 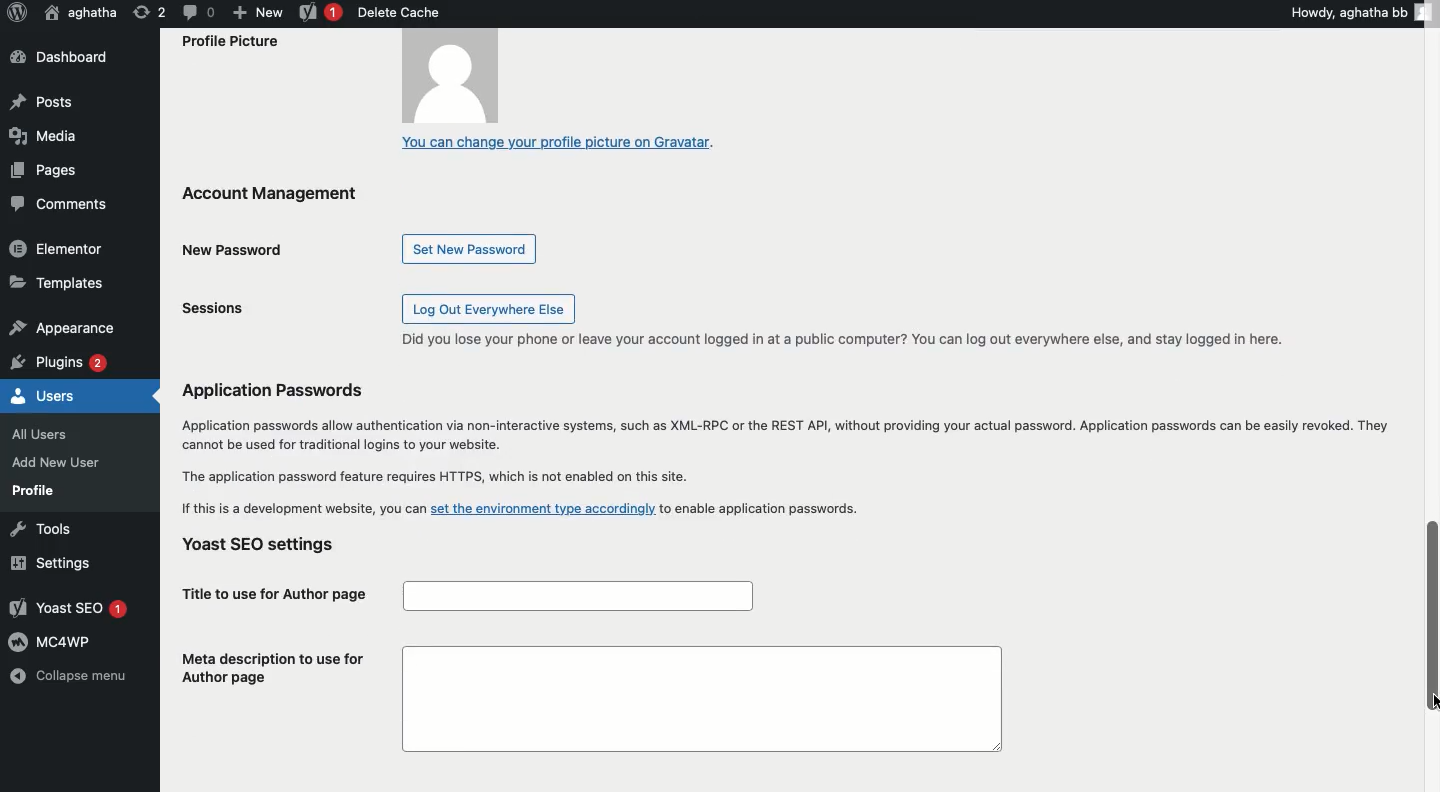 I want to click on MC4WP, so click(x=54, y=640).